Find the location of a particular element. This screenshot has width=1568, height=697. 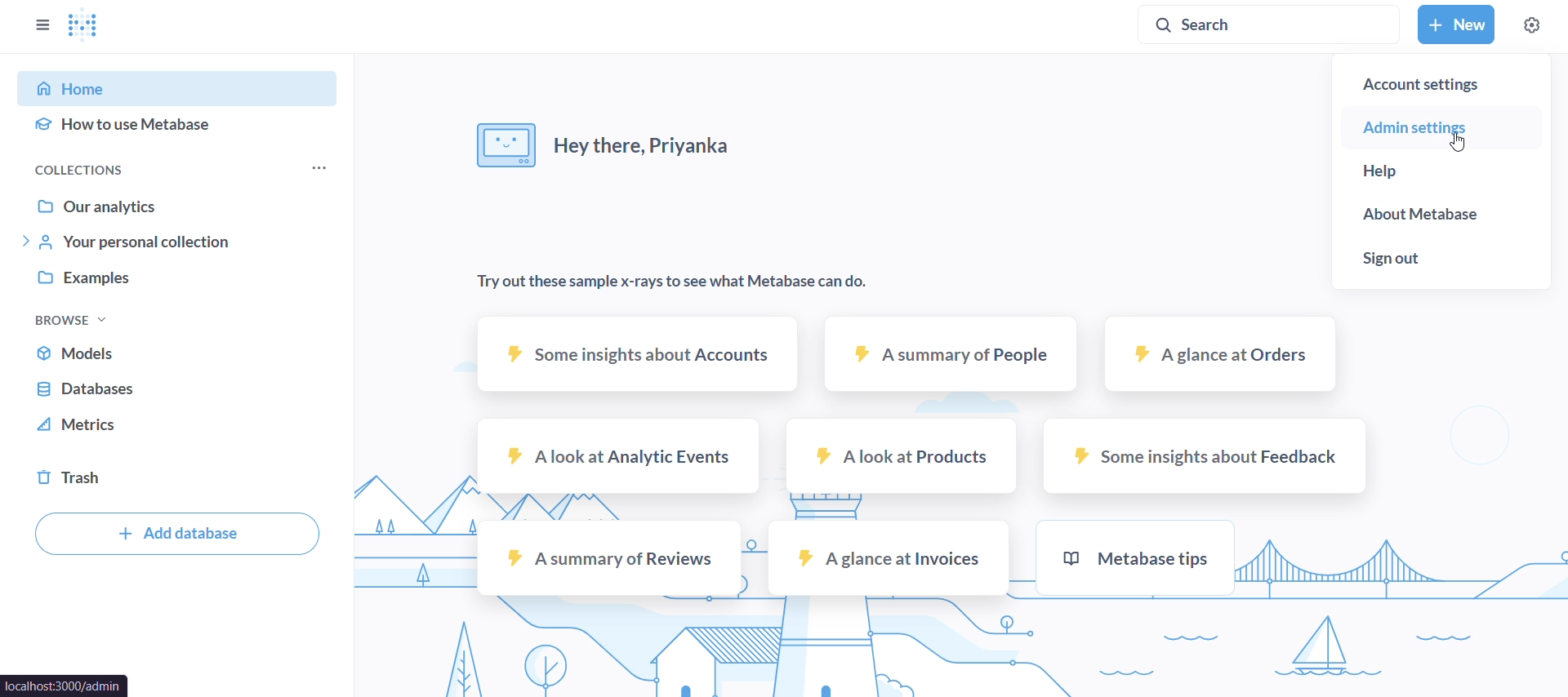

admin settings is located at coordinates (1434, 128).